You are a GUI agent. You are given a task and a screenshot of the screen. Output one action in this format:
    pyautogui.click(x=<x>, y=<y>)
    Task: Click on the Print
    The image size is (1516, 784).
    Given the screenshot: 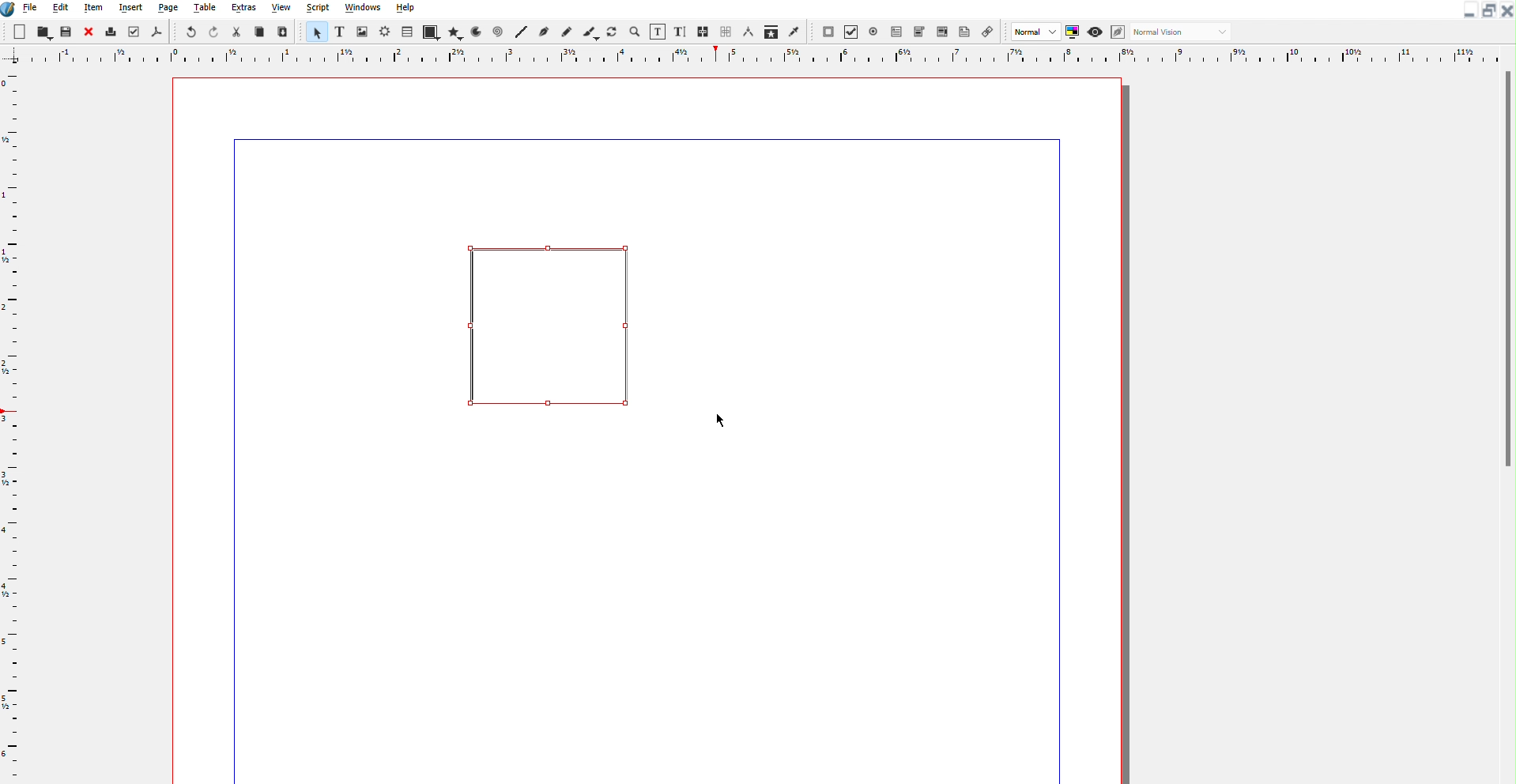 What is the action you would take?
    pyautogui.click(x=109, y=32)
    